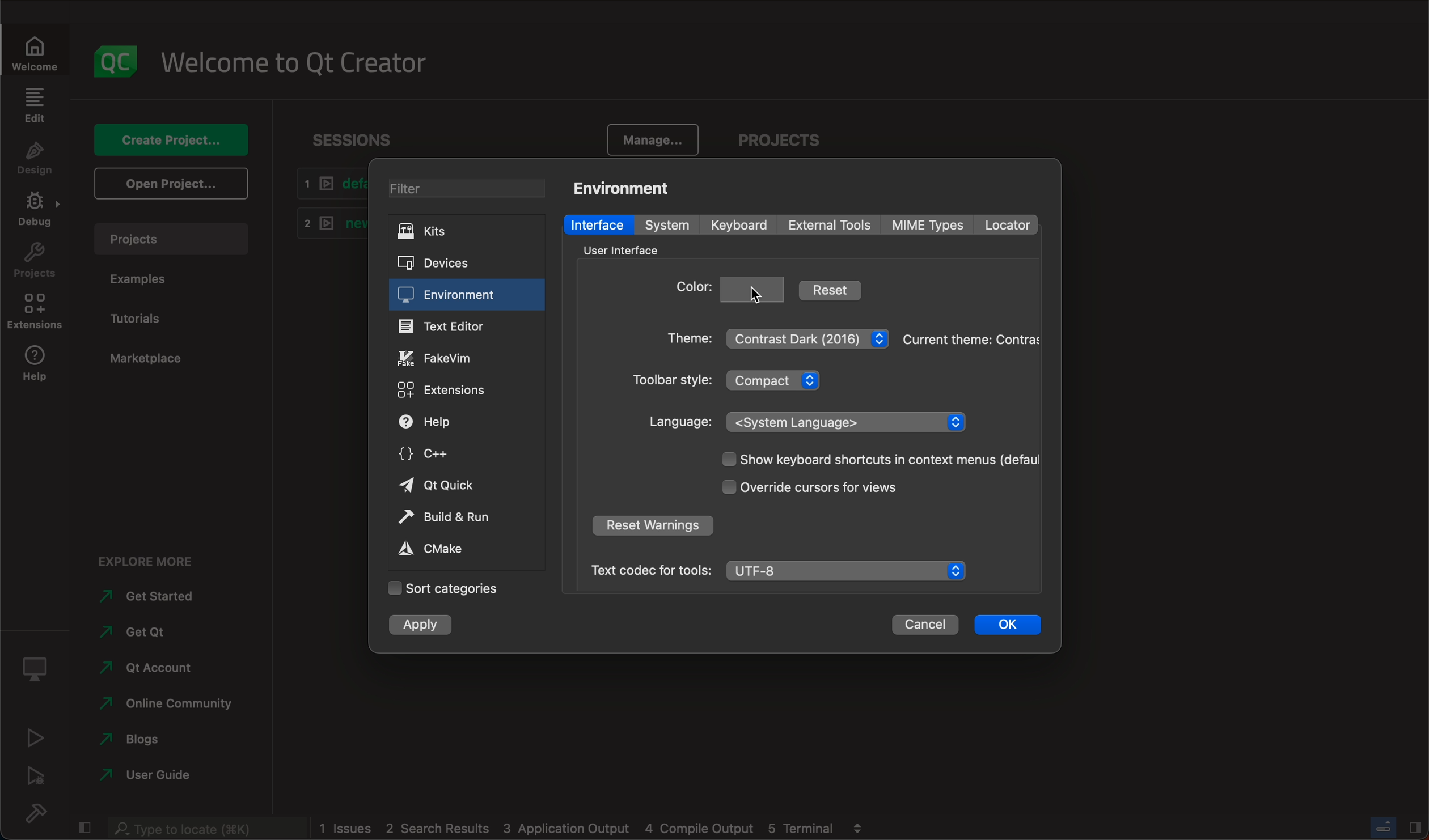 Image resolution: width=1429 pixels, height=840 pixels. Describe the element at coordinates (466, 295) in the screenshot. I see `environment` at that location.